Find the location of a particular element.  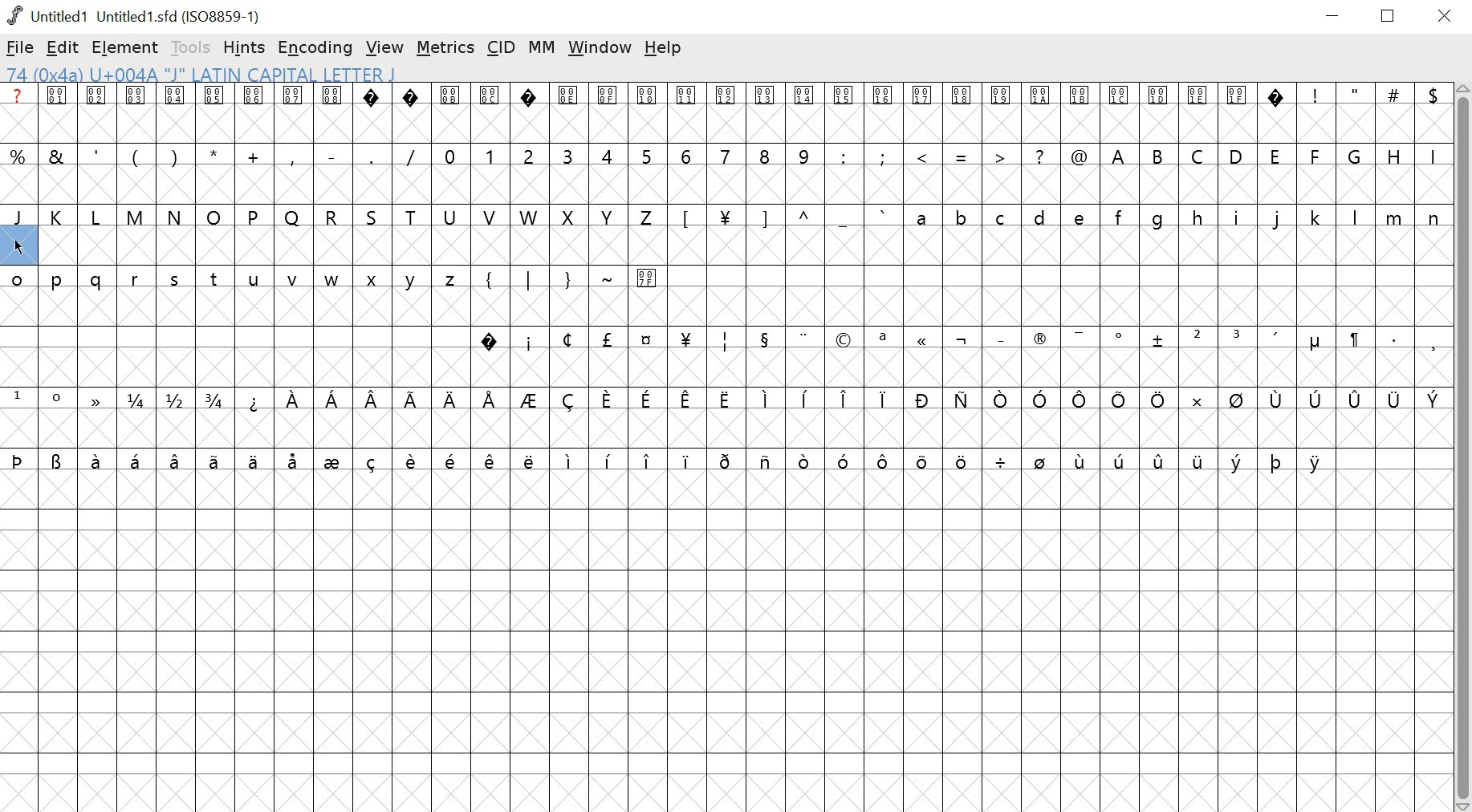

Untitled1 (Untitled1.sfd(ISO8859-1) is located at coordinates (137, 15).